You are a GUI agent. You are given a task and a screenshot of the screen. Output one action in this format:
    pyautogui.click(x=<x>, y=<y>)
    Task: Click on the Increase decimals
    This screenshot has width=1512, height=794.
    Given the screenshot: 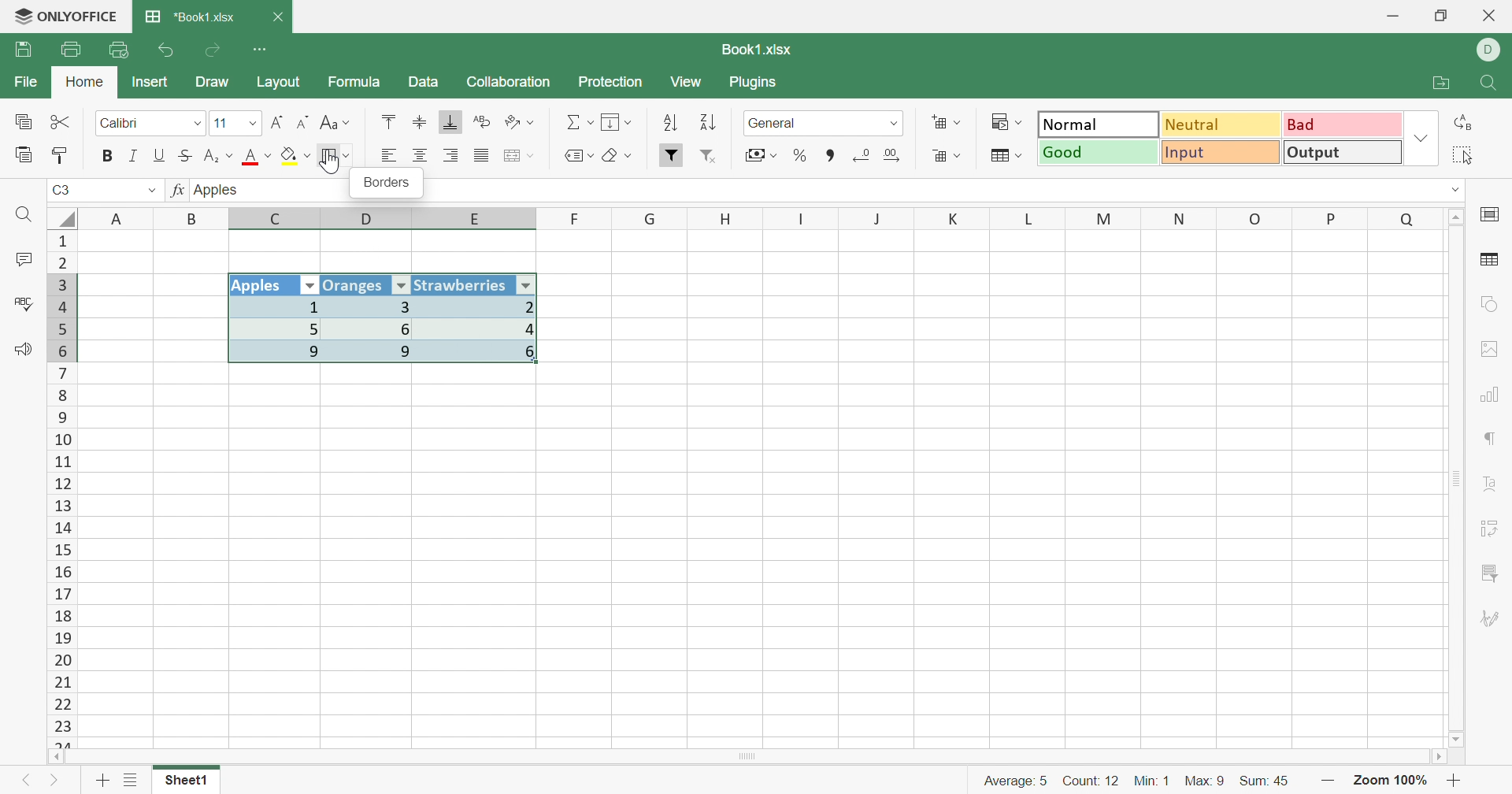 What is the action you would take?
    pyautogui.click(x=899, y=155)
    